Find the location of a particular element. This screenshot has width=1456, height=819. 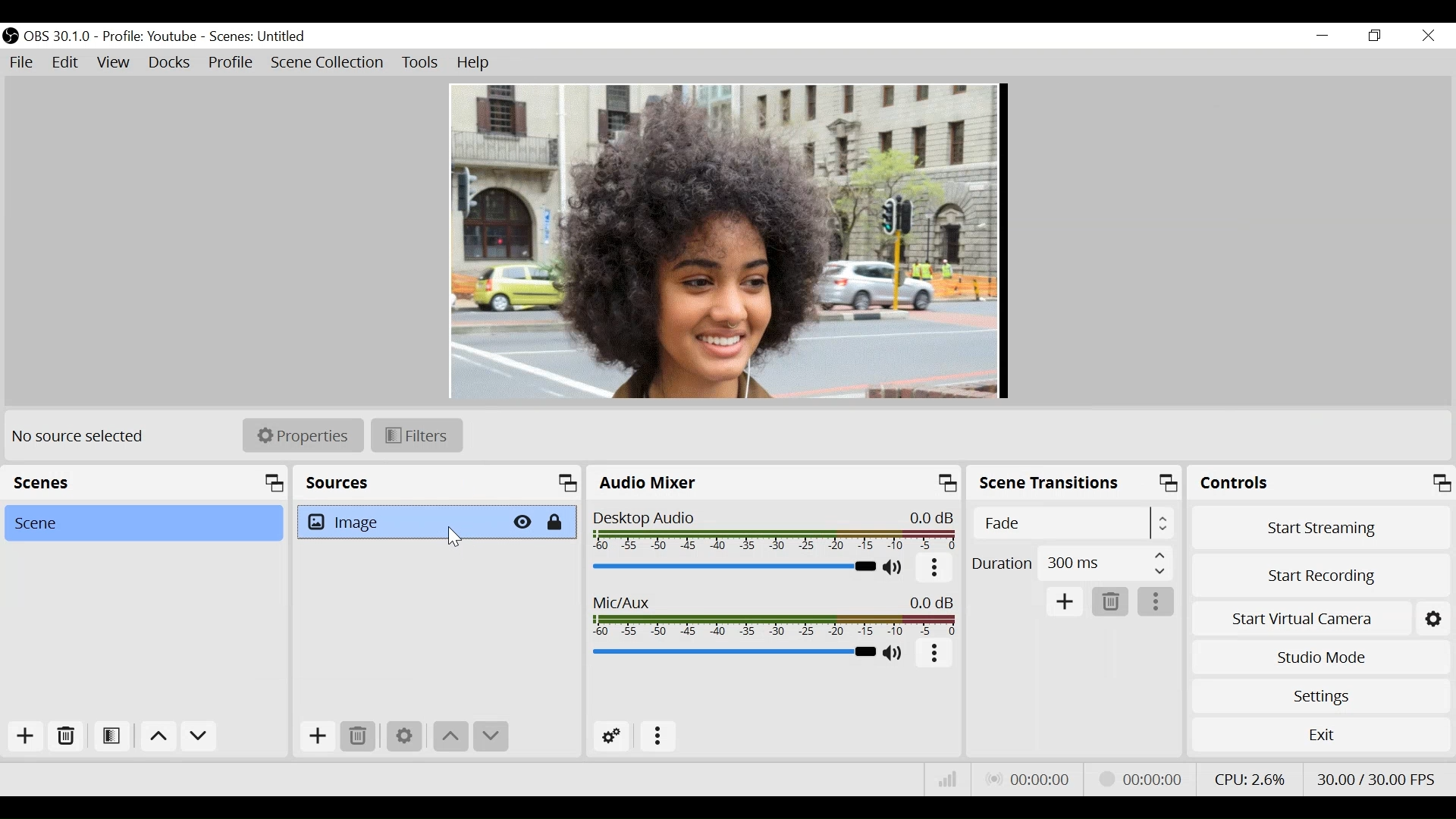

Add is located at coordinates (31, 737).